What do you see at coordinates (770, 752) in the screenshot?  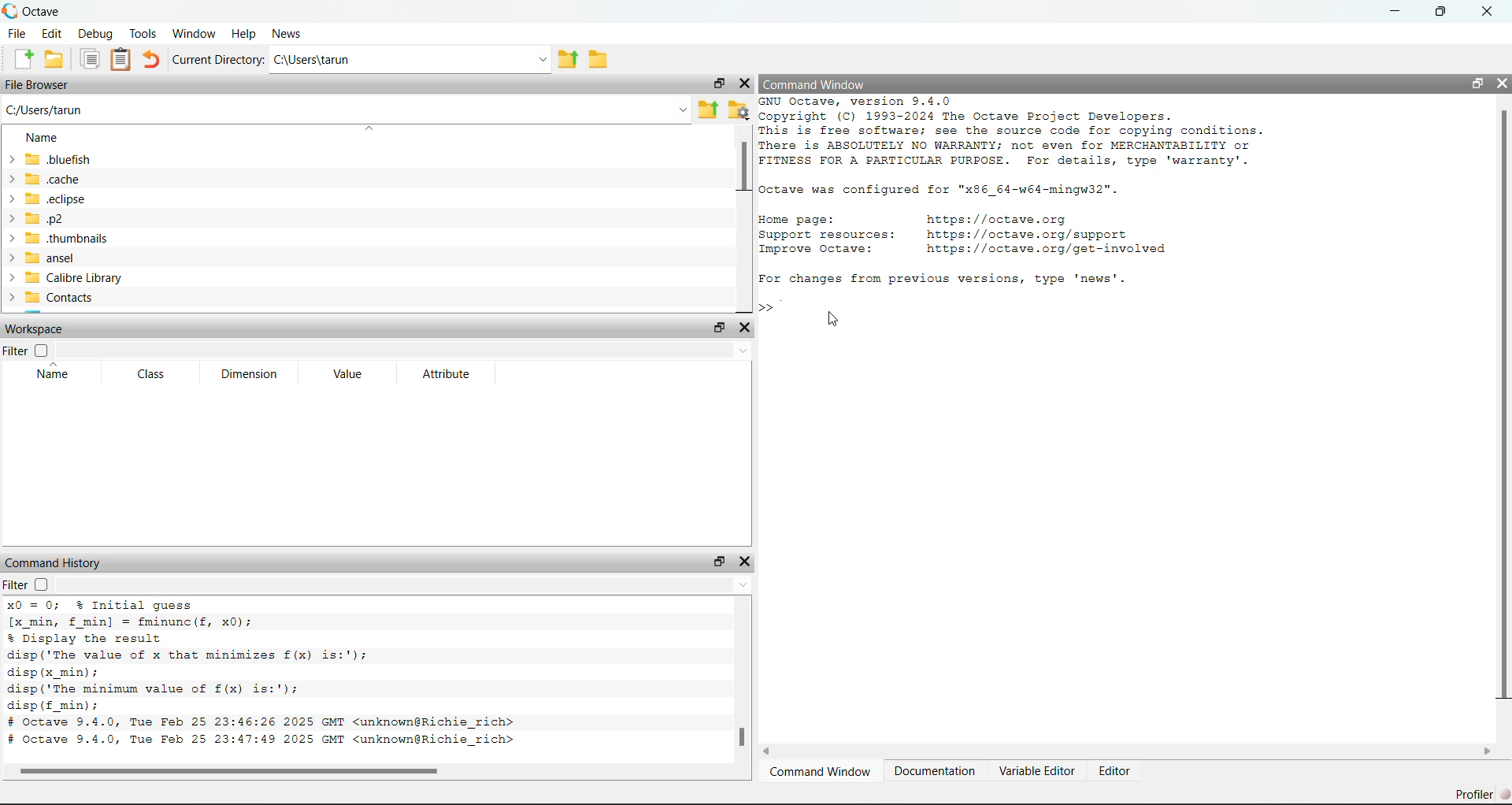 I see `Left` at bounding box center [770, 752].